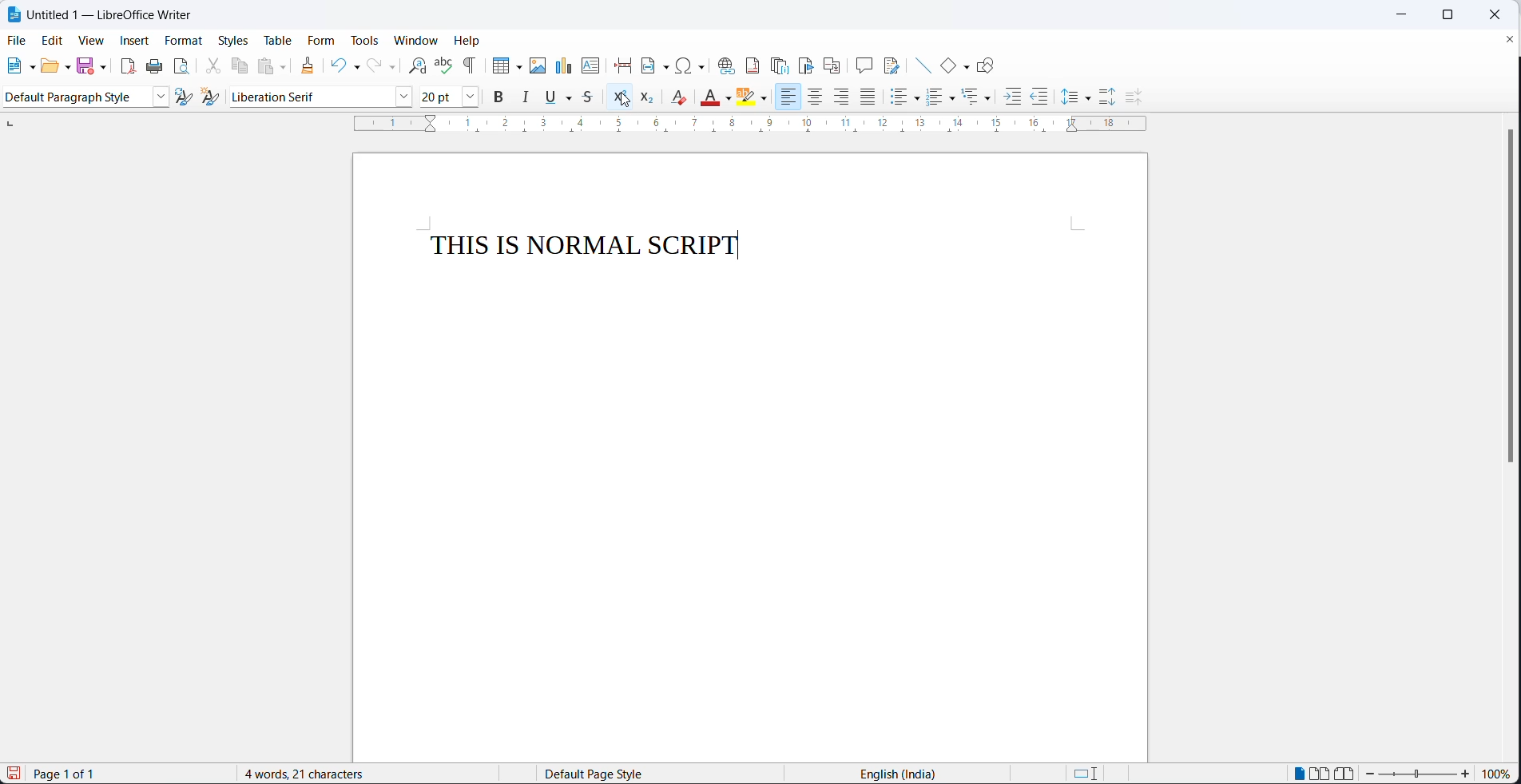  Describe the element at coordinates (725, 64) in the screenshot. I see `insert hyperlink` at that location.